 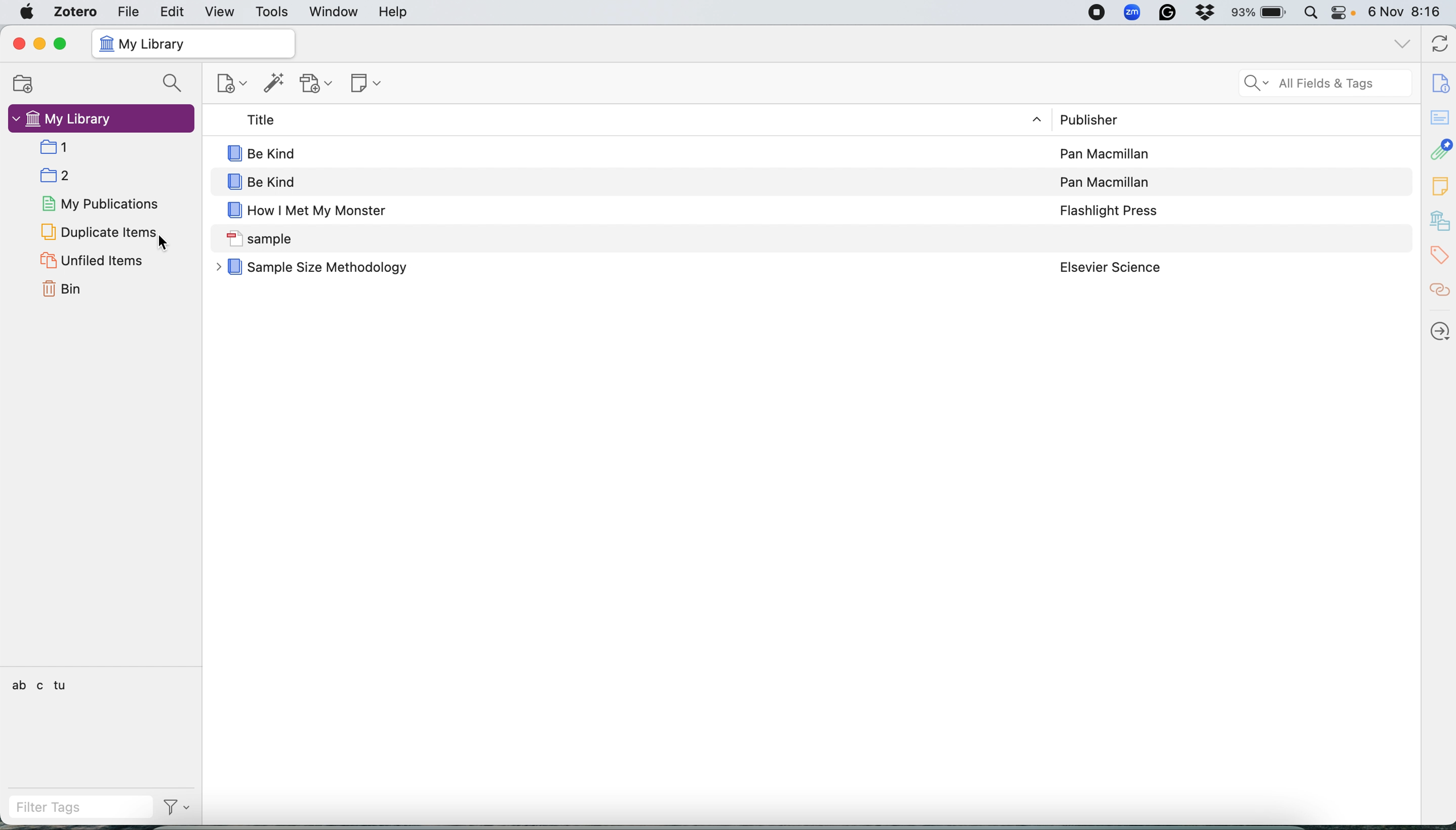 I want to click on How I Met My Mother, so click(x=612, y=205).